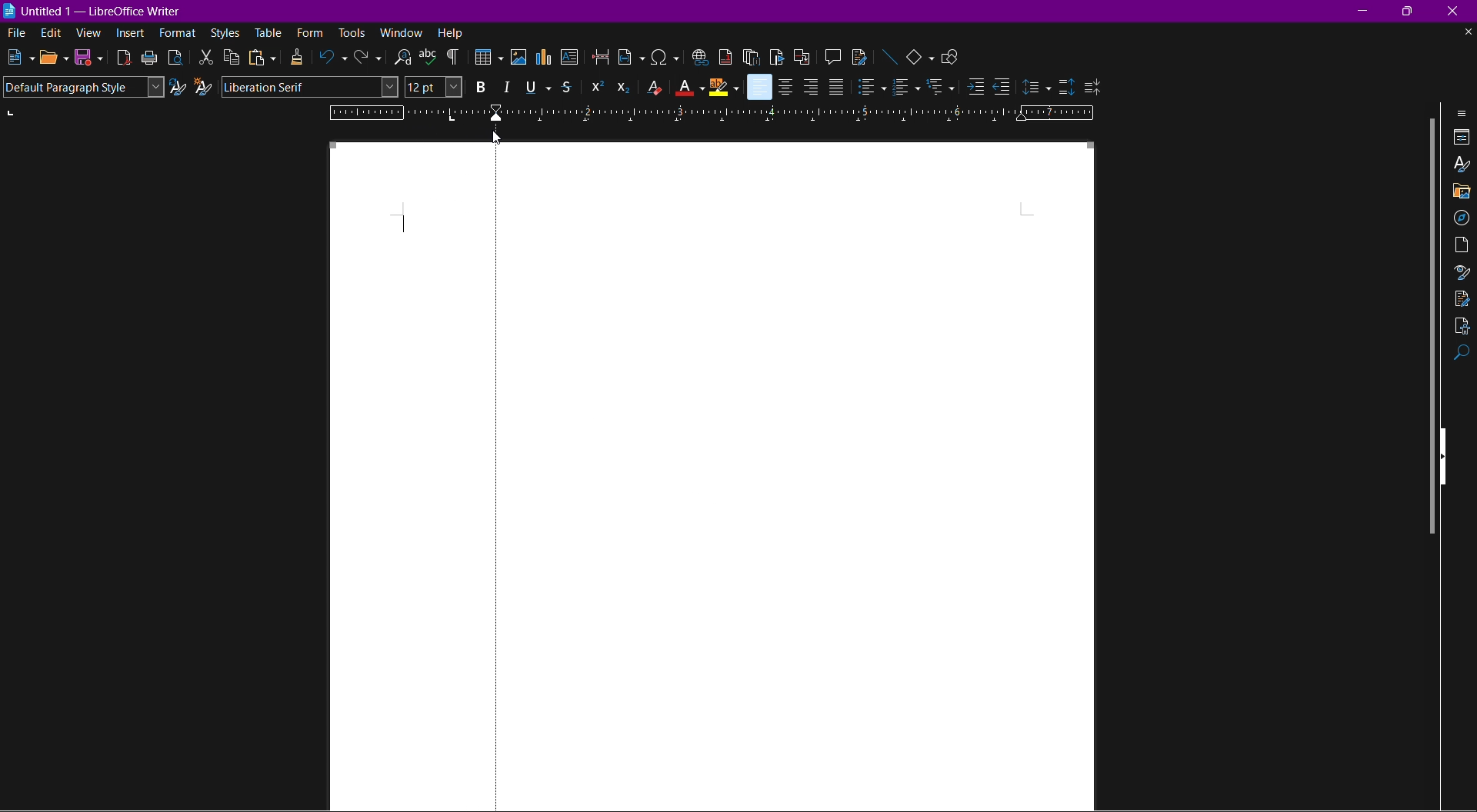 The width and height of the screenshot is (1477, 812). What do you see at coordinates (872, 87) in the screenshot?
I see `Toggle Unordered List` at bounding box center [872, 87].